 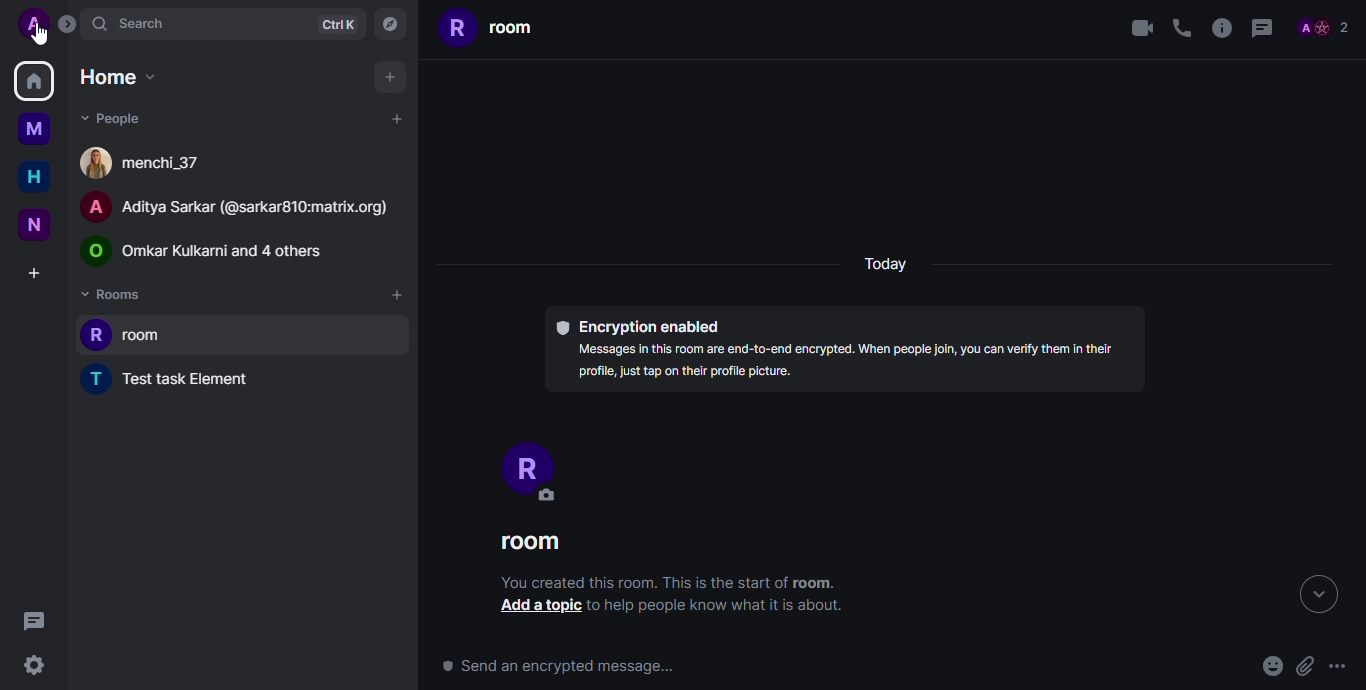 I want to click on more, so click(x=1338, y=667).